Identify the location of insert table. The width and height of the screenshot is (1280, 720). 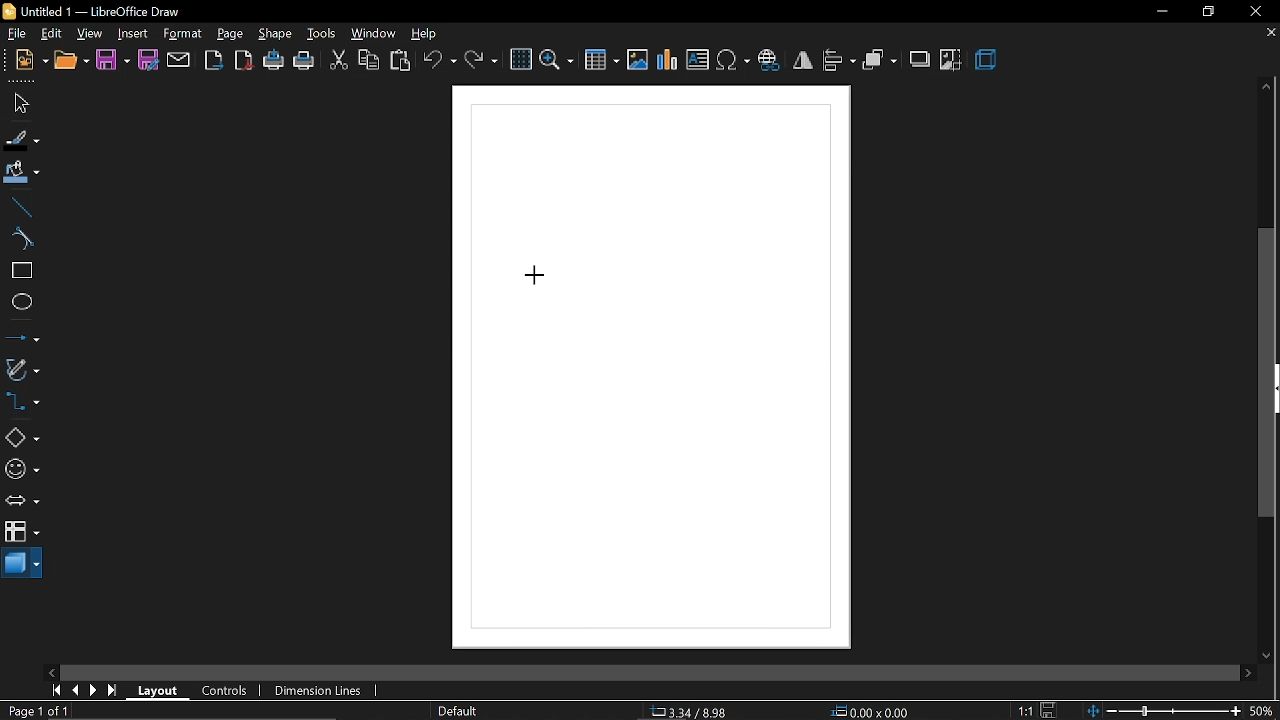
(602, 60).